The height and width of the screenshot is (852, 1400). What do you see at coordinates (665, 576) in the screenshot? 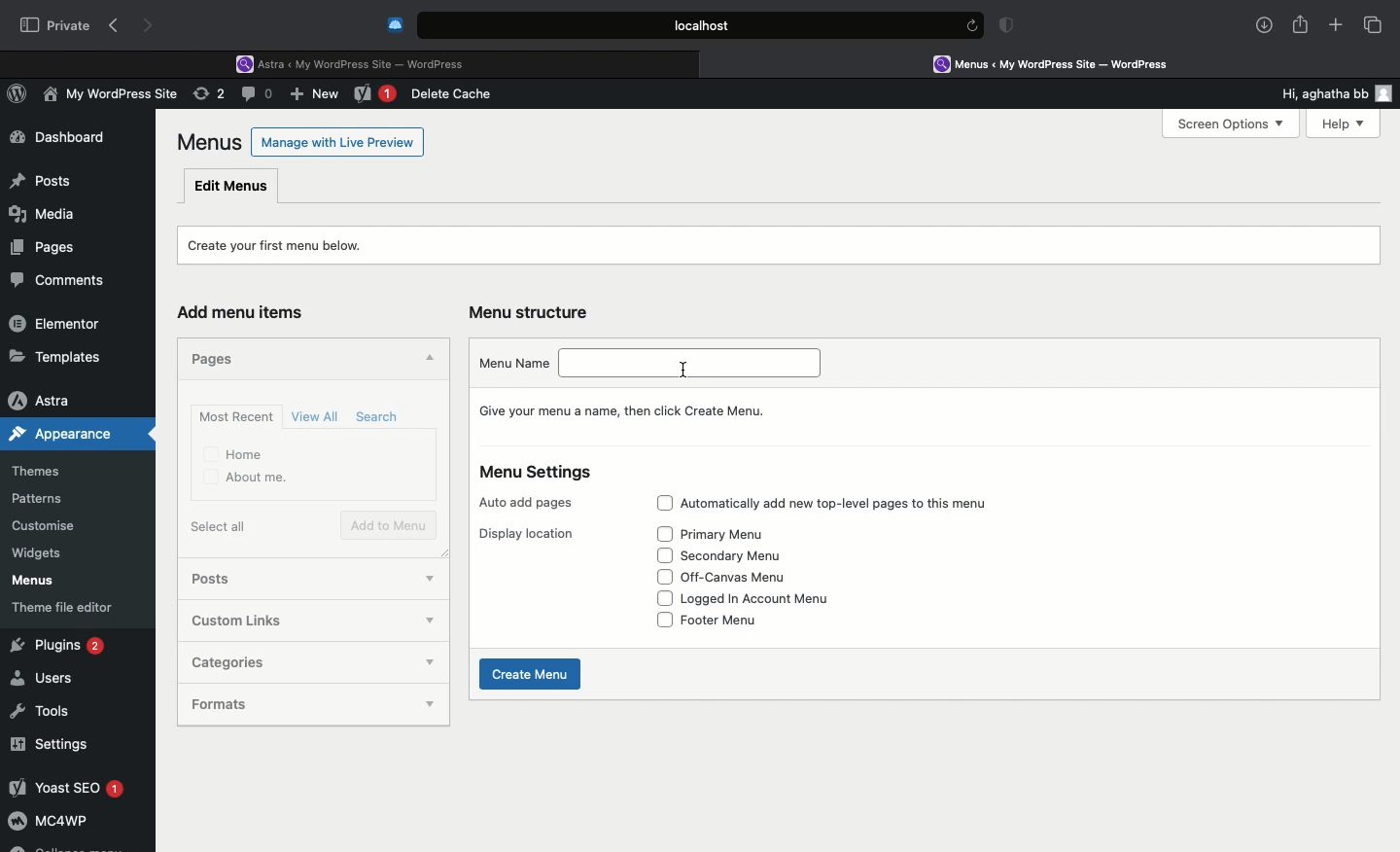
I see `Check box` at bounding box center [665, 576].